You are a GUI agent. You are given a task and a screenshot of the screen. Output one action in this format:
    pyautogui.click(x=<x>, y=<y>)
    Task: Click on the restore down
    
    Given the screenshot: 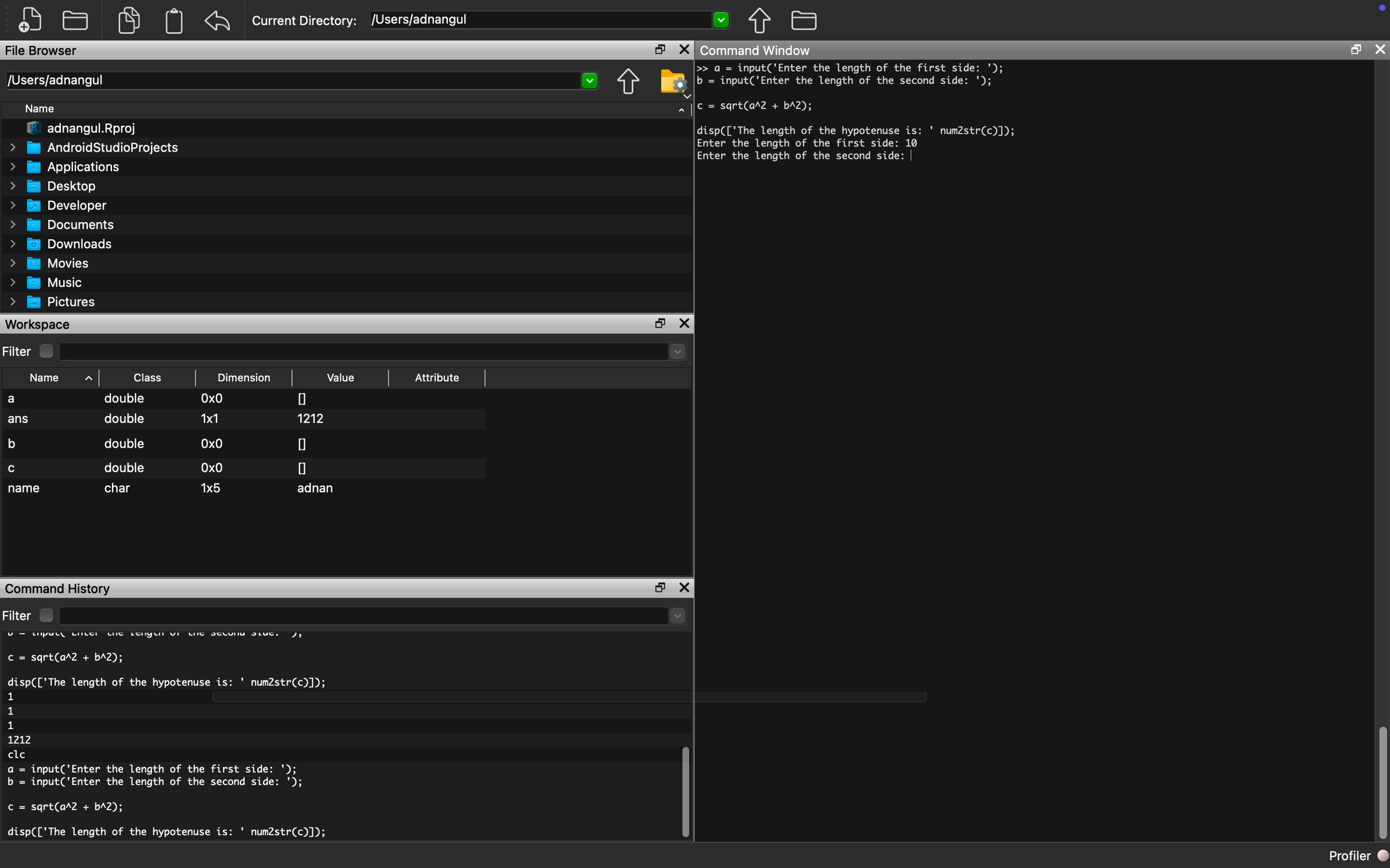 What is the action you would take?
    pyautogui.click(x=662, y=324)
    